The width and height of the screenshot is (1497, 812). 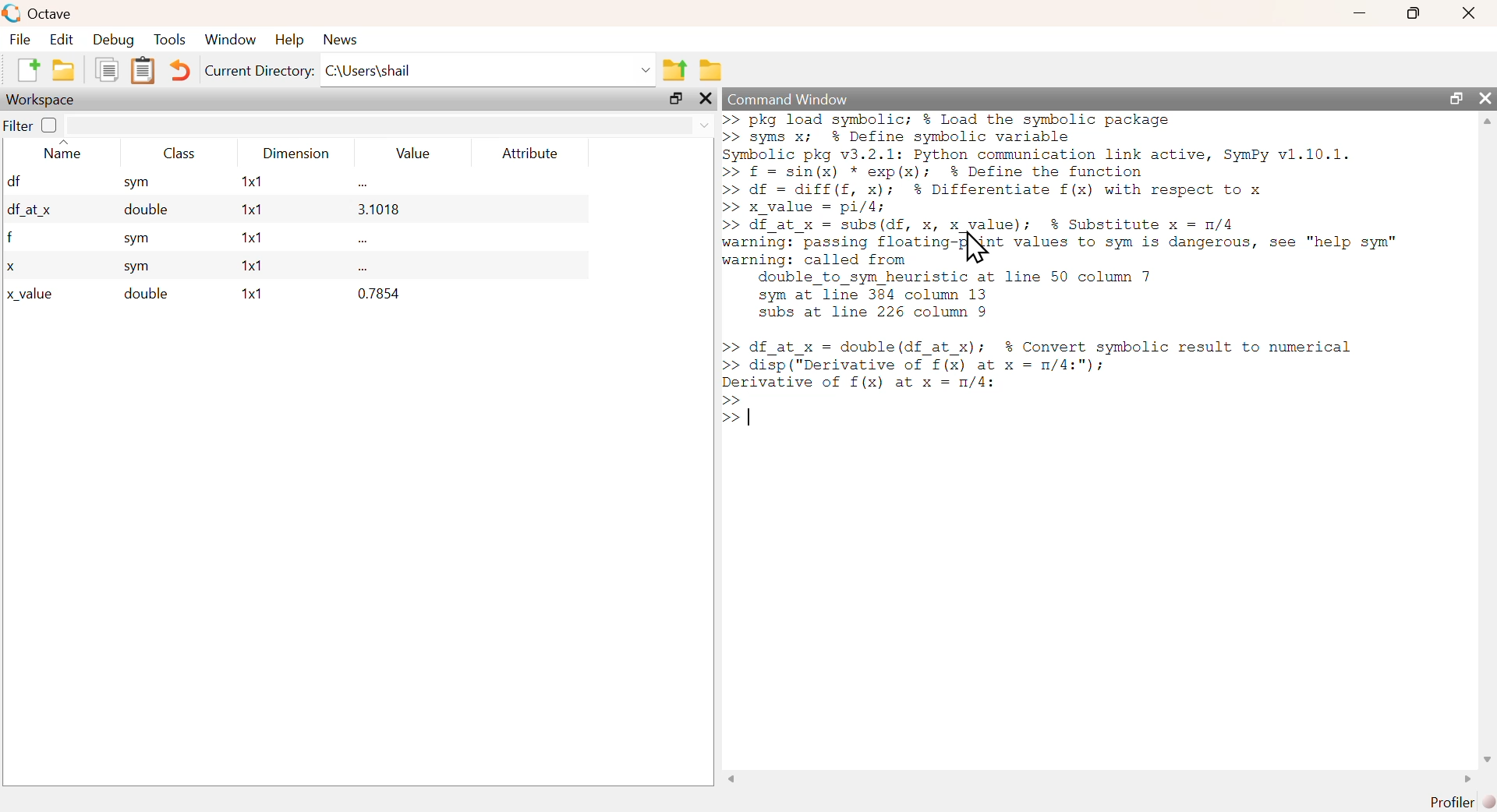 What do you see at coordinates (973, 246) in the screenshot?
I see `Cursor` at bounding box center [973, 246].